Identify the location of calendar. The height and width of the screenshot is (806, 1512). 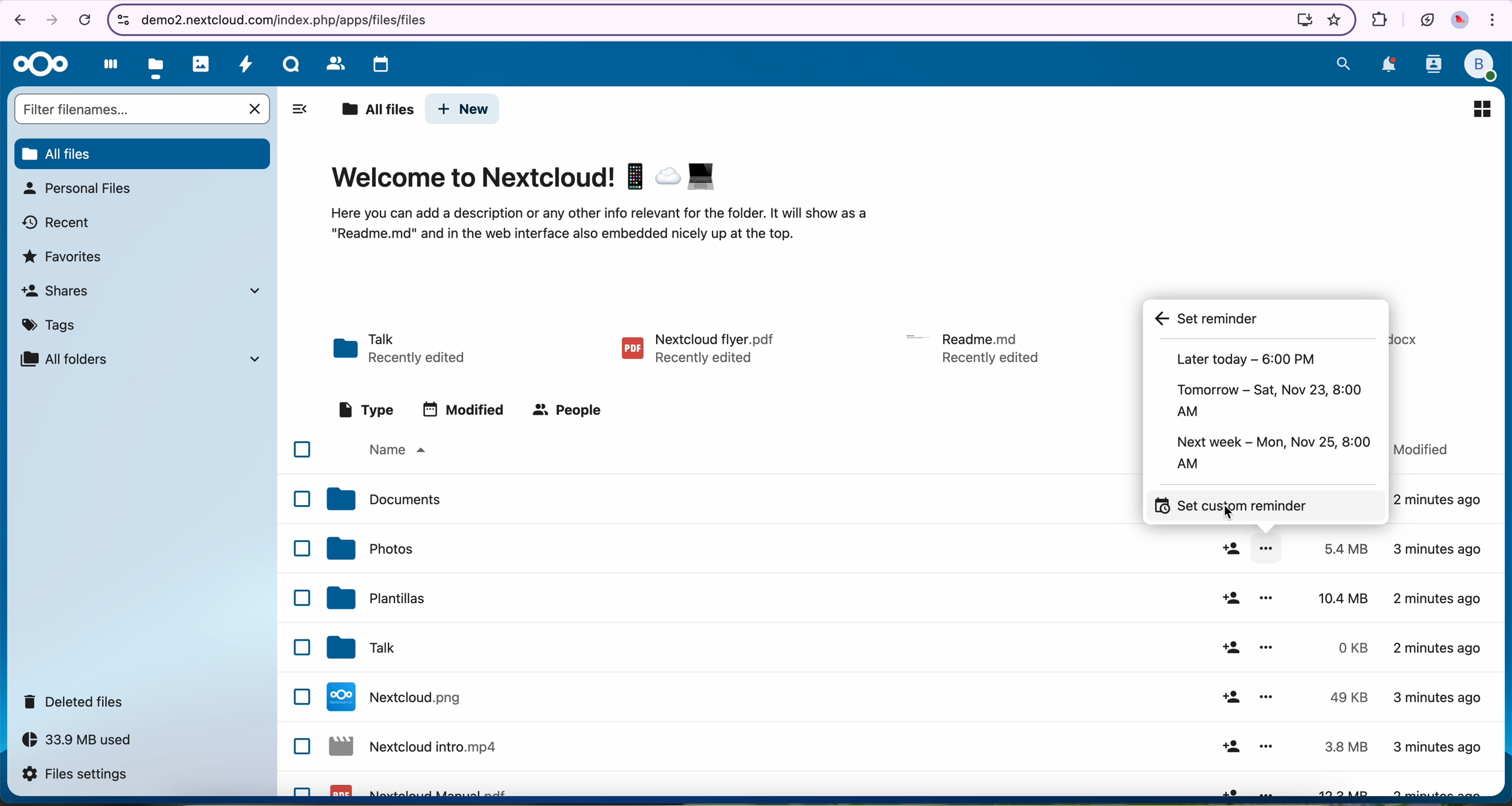
(374, 61).